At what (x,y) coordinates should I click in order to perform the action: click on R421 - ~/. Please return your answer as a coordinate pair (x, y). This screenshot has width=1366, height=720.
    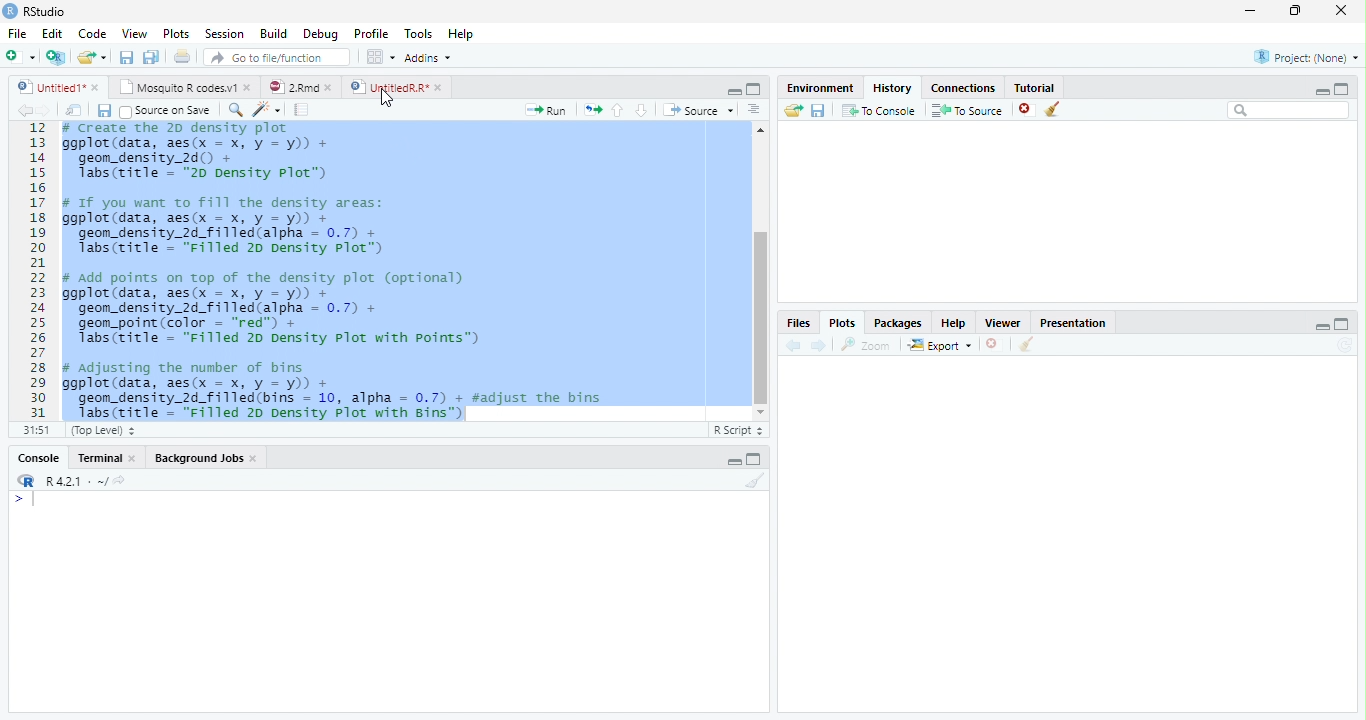
    Looking at the image, I should click on (70, 481).